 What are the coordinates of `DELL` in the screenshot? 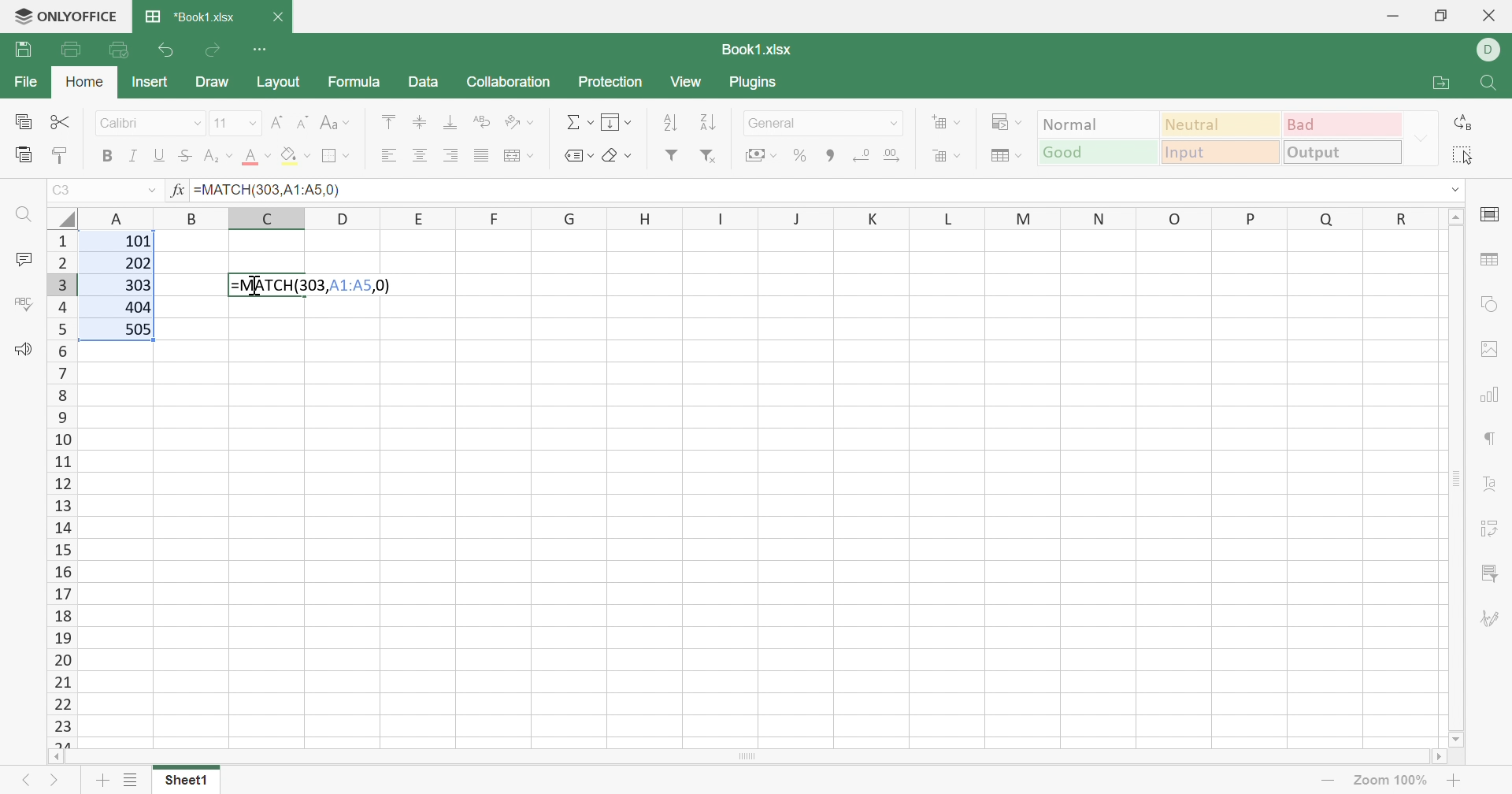 It's located at (1491, 50).